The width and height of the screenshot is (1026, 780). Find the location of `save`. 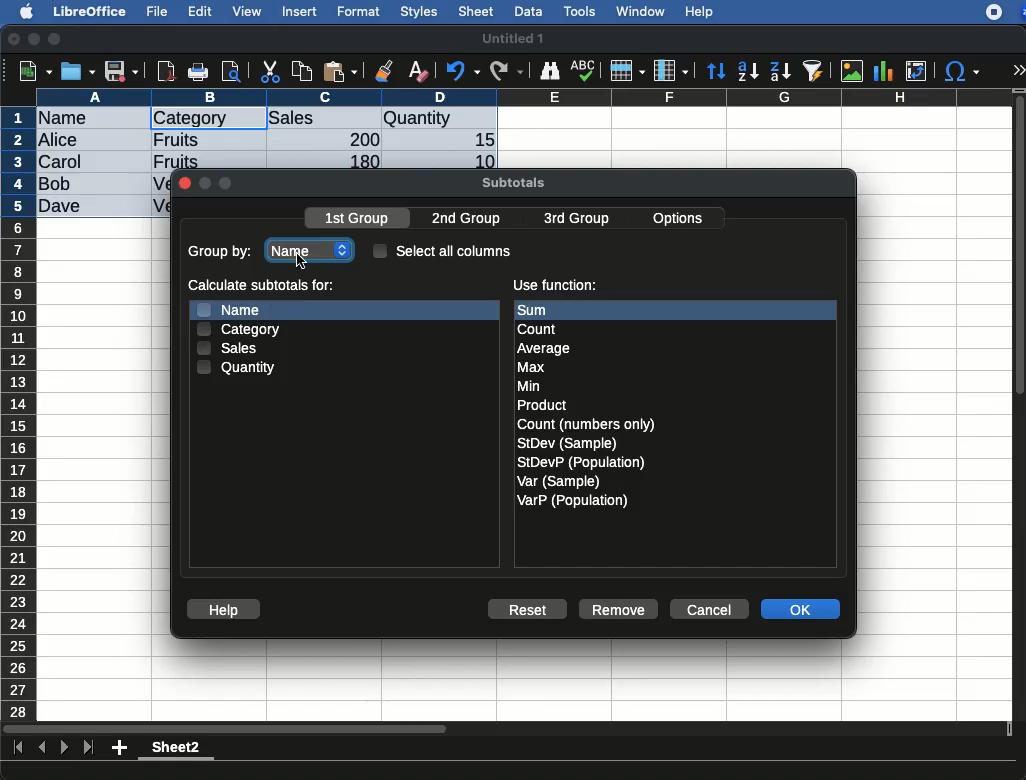

save is located at coordinates (122, 73).